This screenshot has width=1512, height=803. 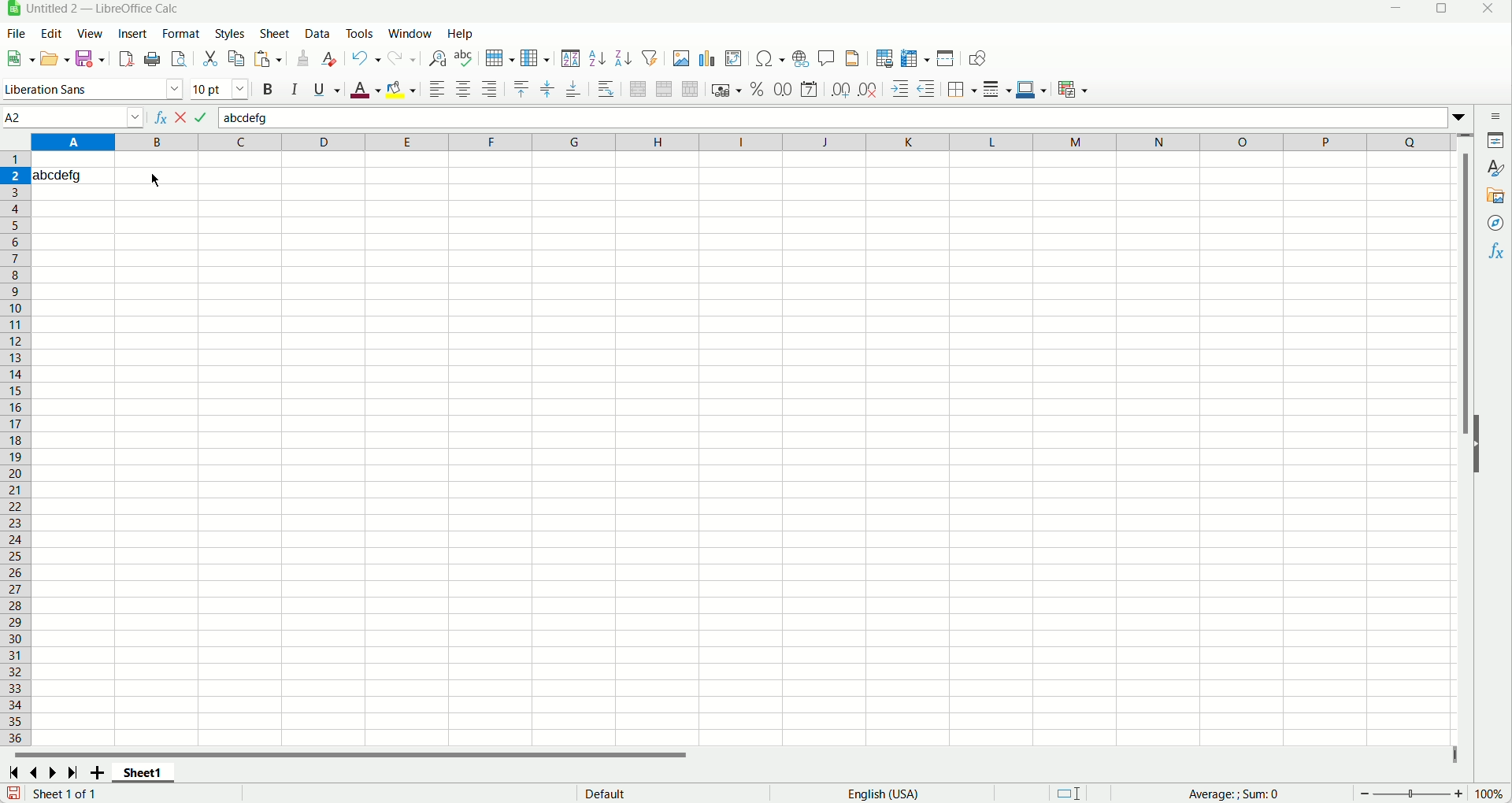 What do you see at coordinates (402, 59) in the screenshot?
I see `redo` at bounding box center [402, 59].